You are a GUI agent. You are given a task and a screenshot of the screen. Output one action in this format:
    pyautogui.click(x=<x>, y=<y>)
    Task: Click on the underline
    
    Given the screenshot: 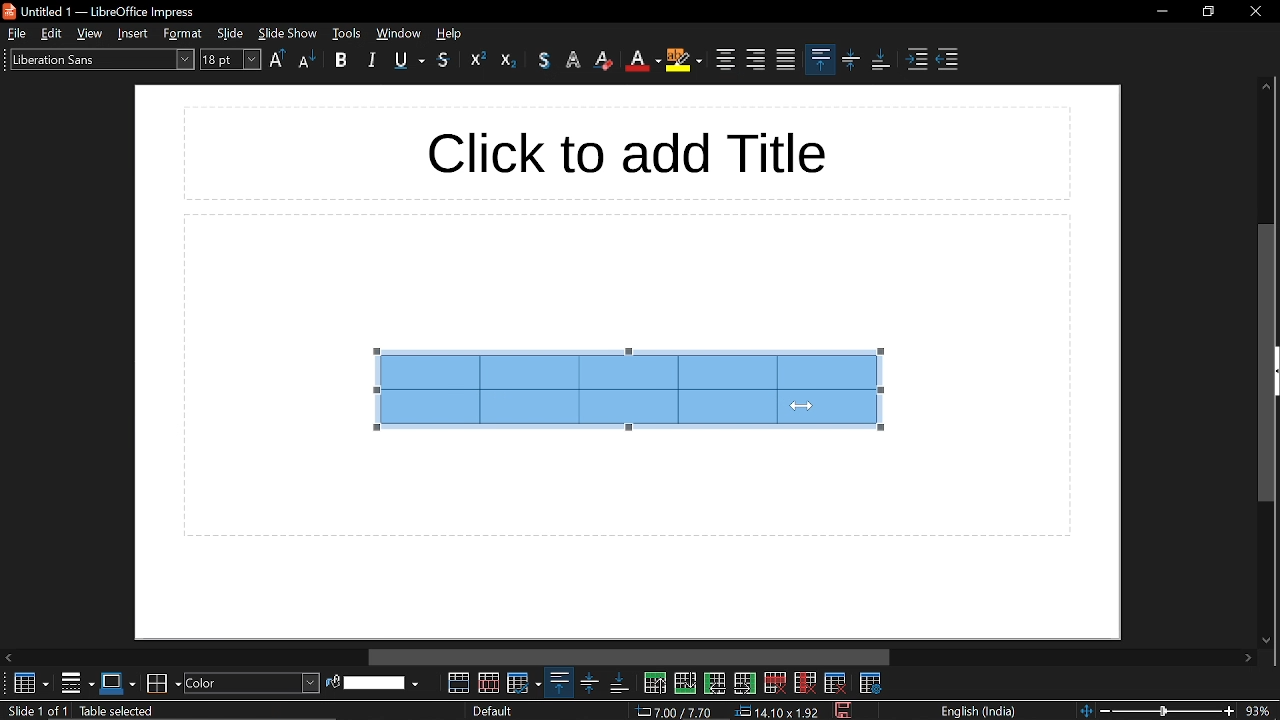 What is the action you would take?
    pyautogui.click(x=409, y=61)
    